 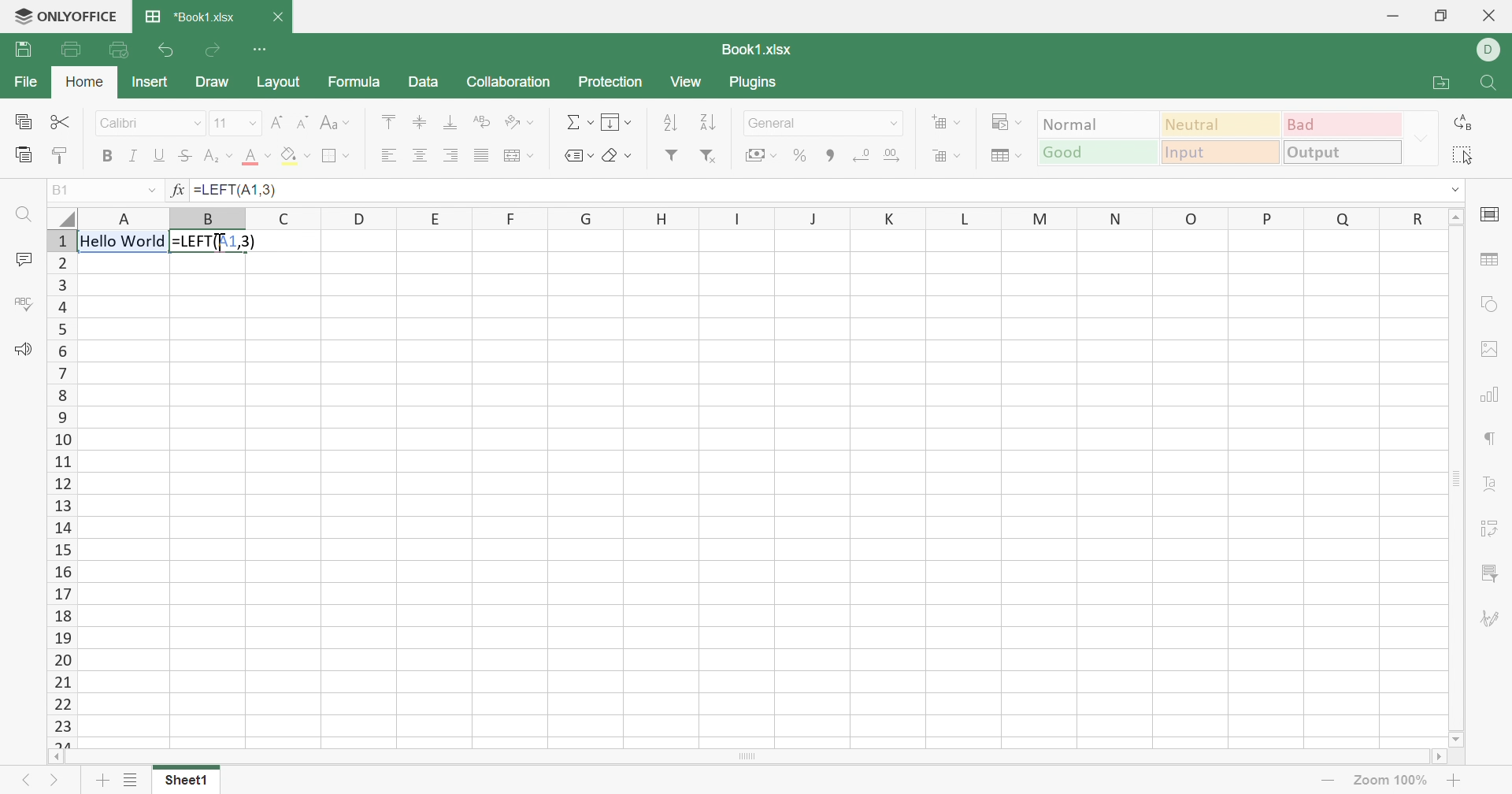 I want to click on Customize Quick Access Toolbar, so click(x=260, y=49).